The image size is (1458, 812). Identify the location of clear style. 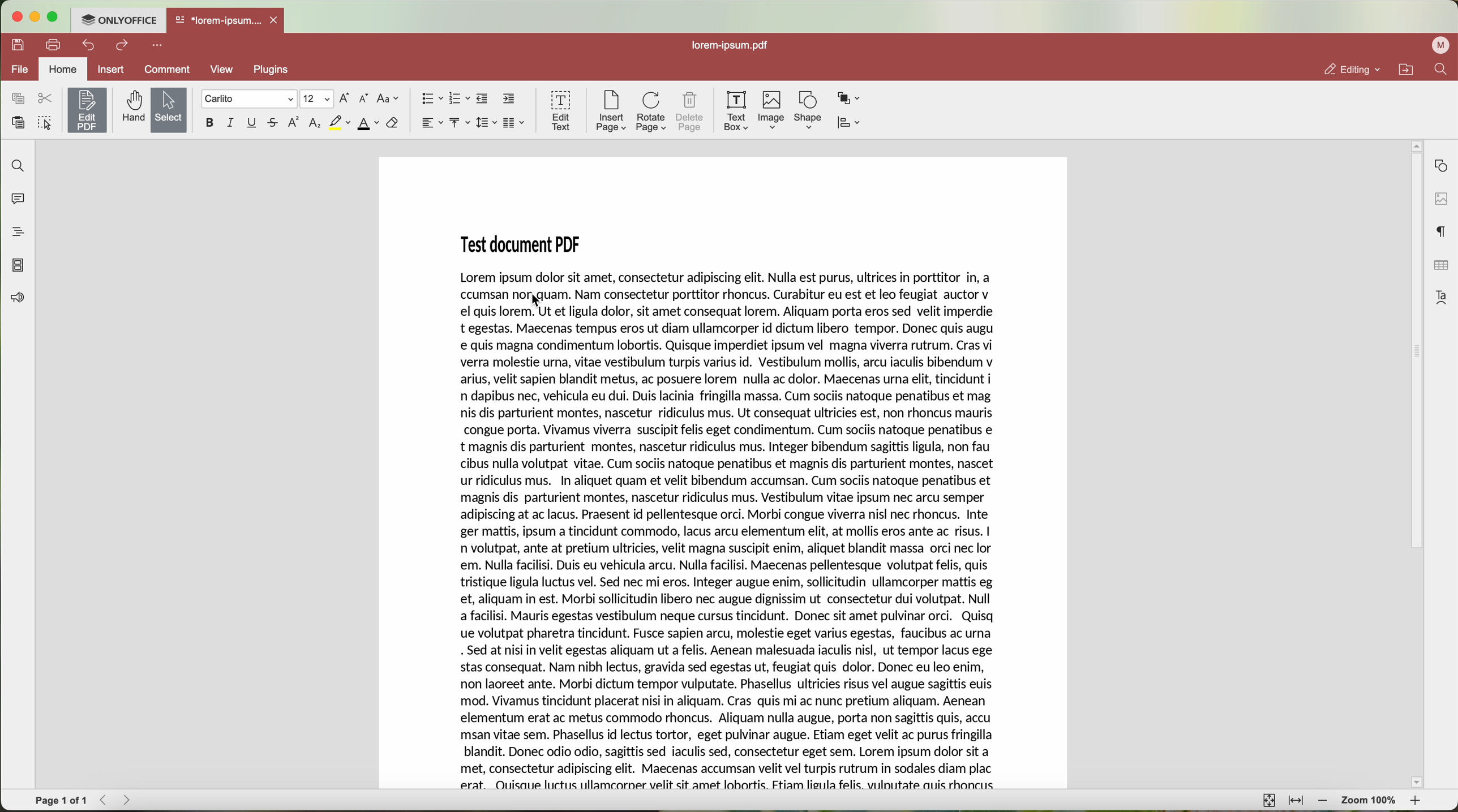
(392, 124).